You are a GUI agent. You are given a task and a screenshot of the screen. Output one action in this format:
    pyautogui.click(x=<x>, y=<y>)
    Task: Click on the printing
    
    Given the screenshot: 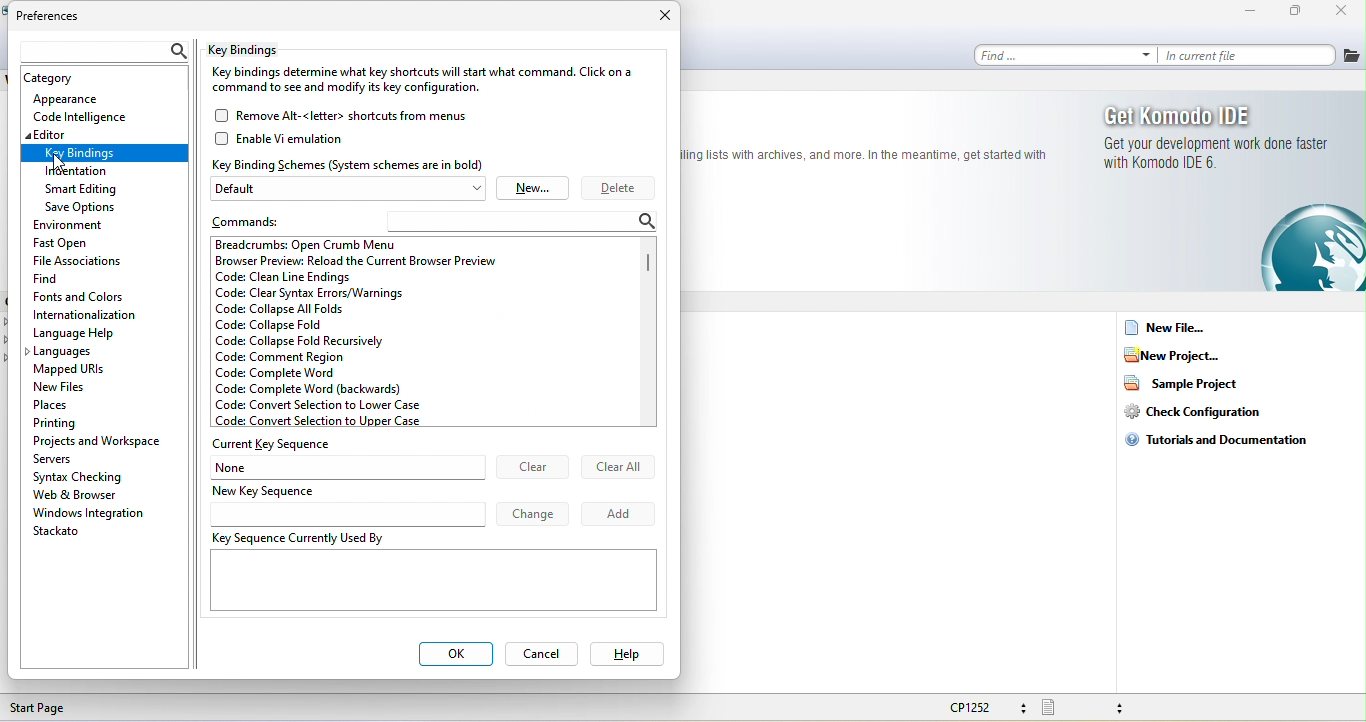 What is the action you would take?
    pyautogui.click(x=74, y=421)
    